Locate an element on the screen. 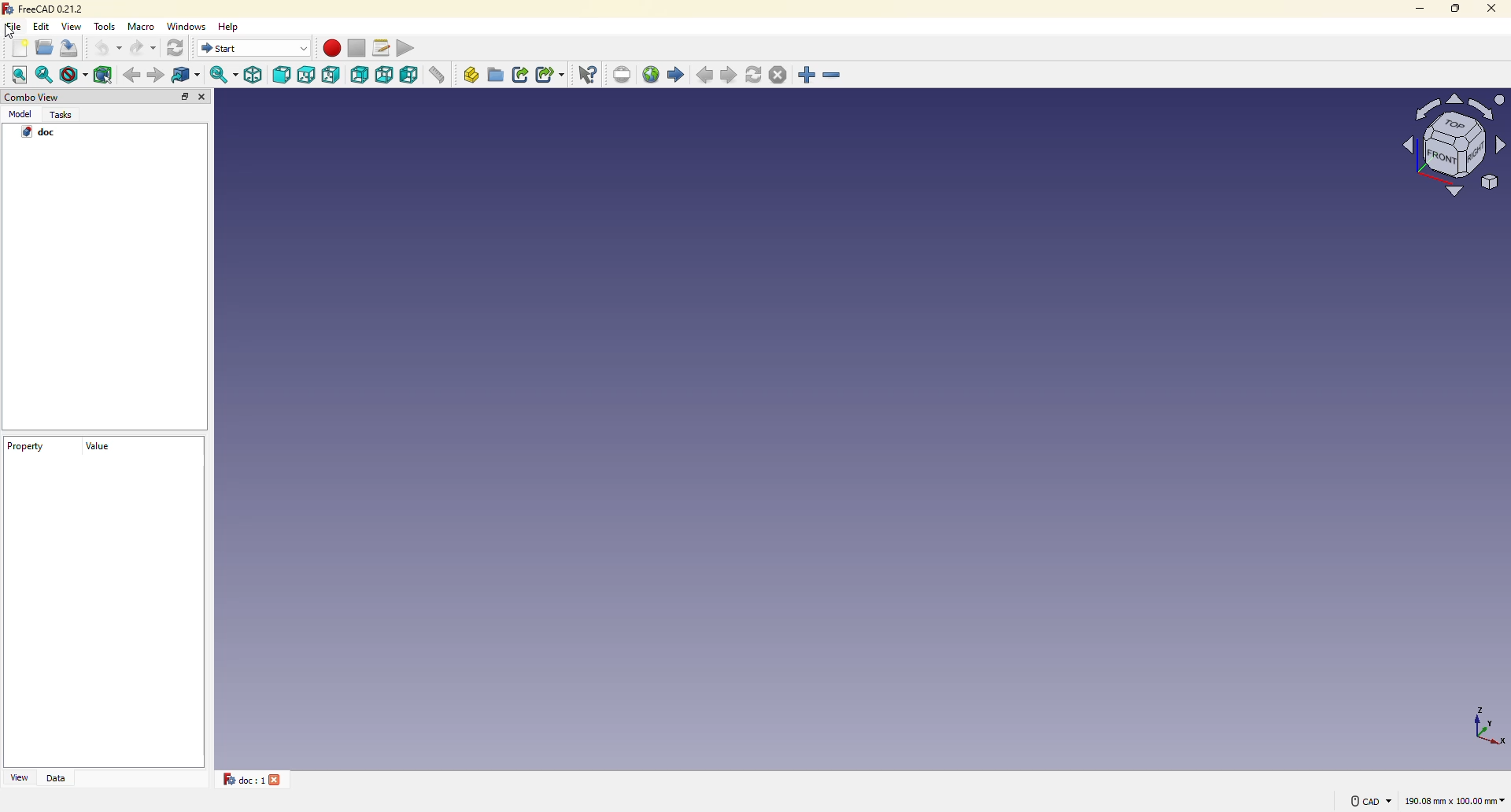 The width and height of the screenshot is (1511, 812). co-ordinates is located at coordinates (1476, 725).